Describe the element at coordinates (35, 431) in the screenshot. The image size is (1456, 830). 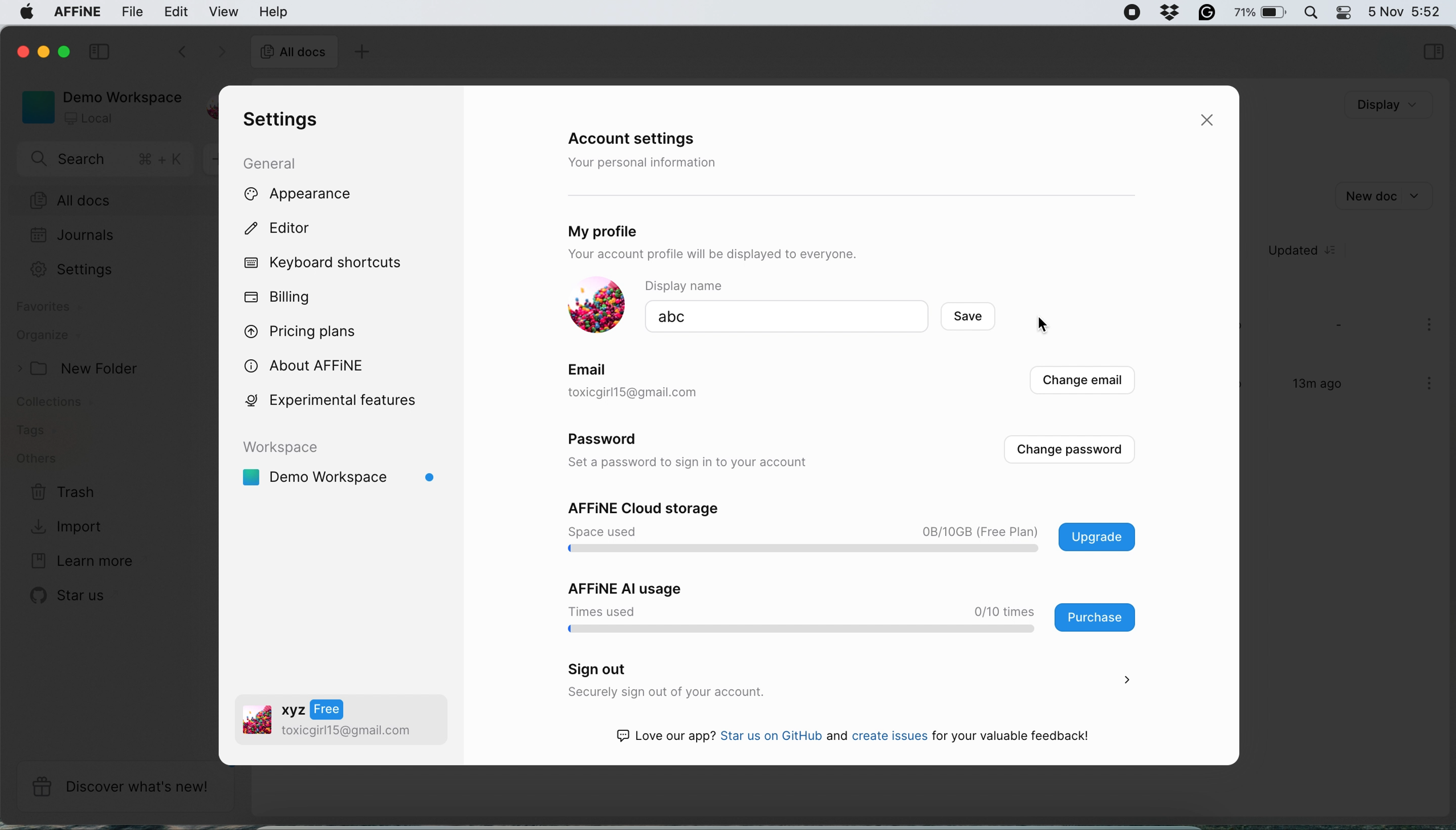
I see `tags` at that location.